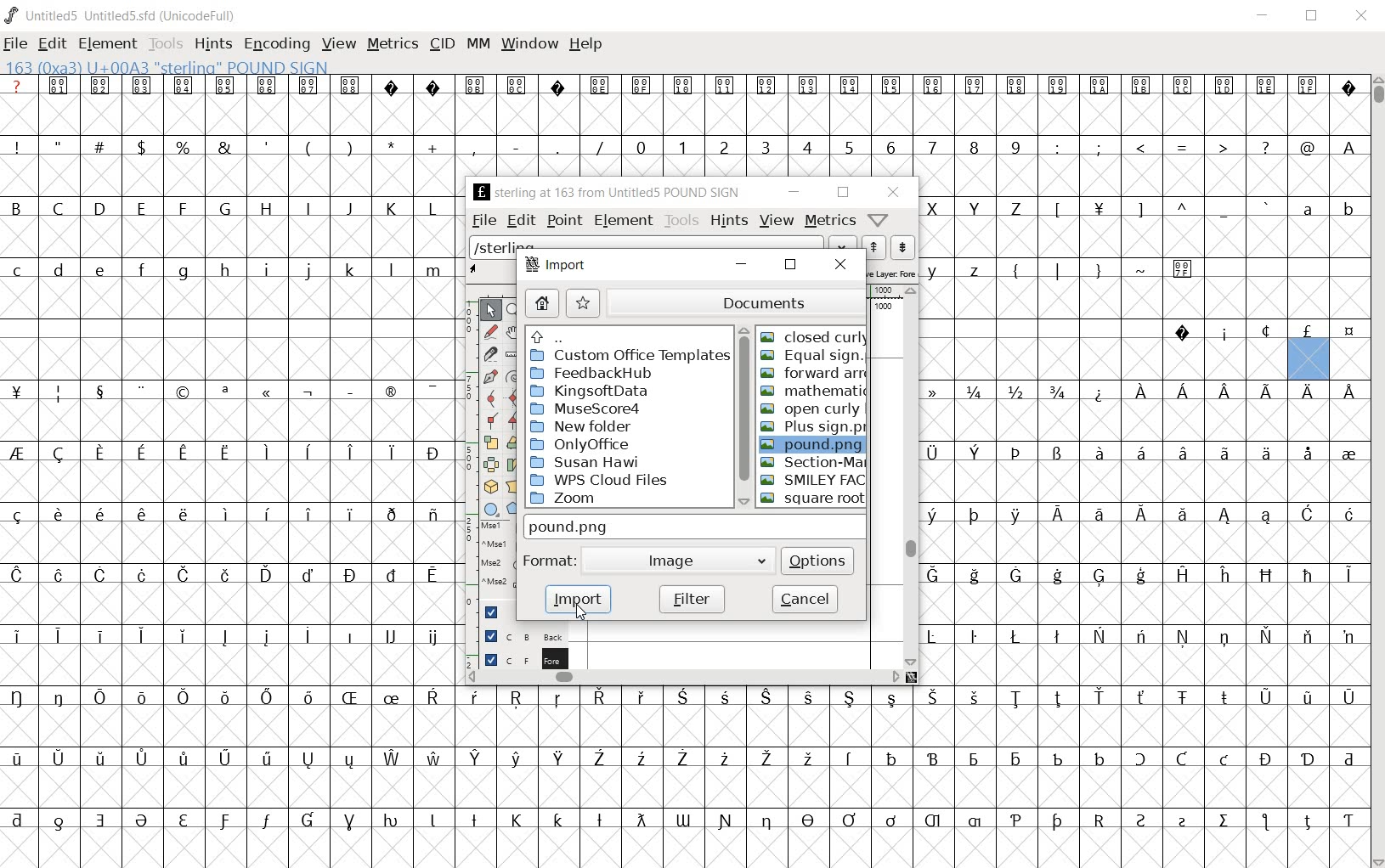 The height and width of the screenshot is (868, 1385). What do you see at coordinates (1141, 208) in the screenshot?
I see `]` at bounding box center [1141, 208].